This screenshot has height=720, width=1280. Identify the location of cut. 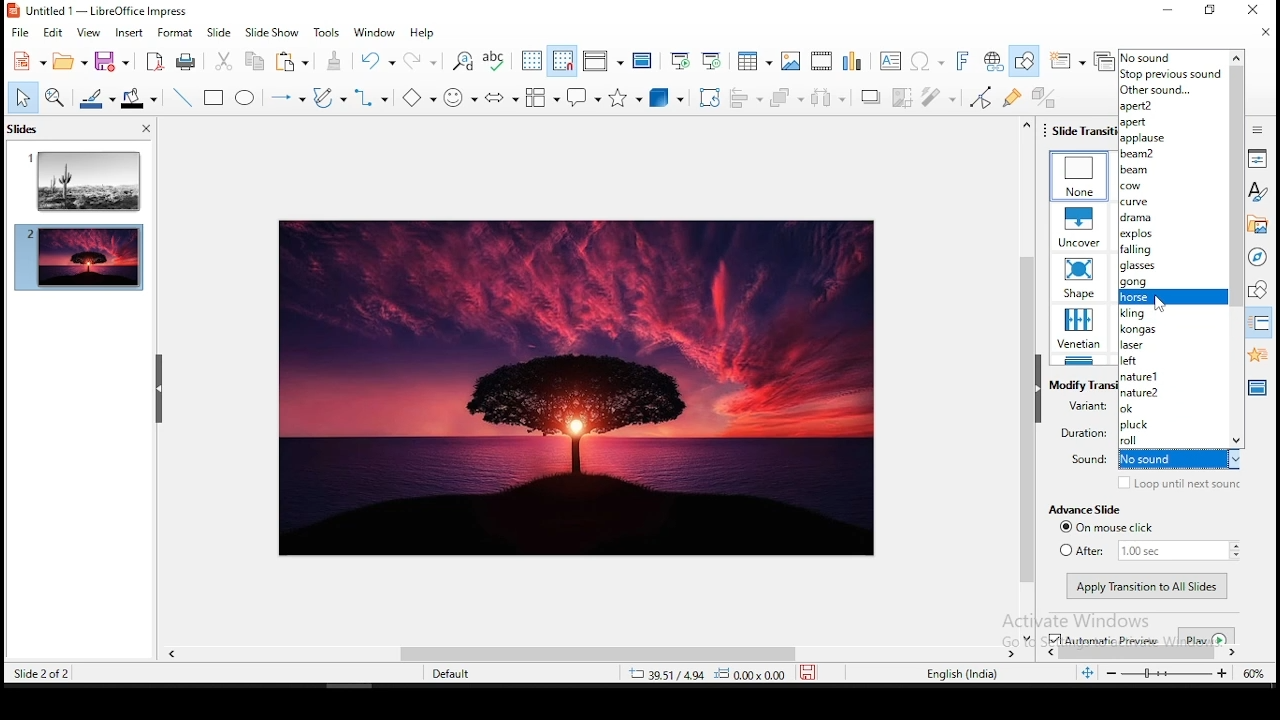
(225, 61).